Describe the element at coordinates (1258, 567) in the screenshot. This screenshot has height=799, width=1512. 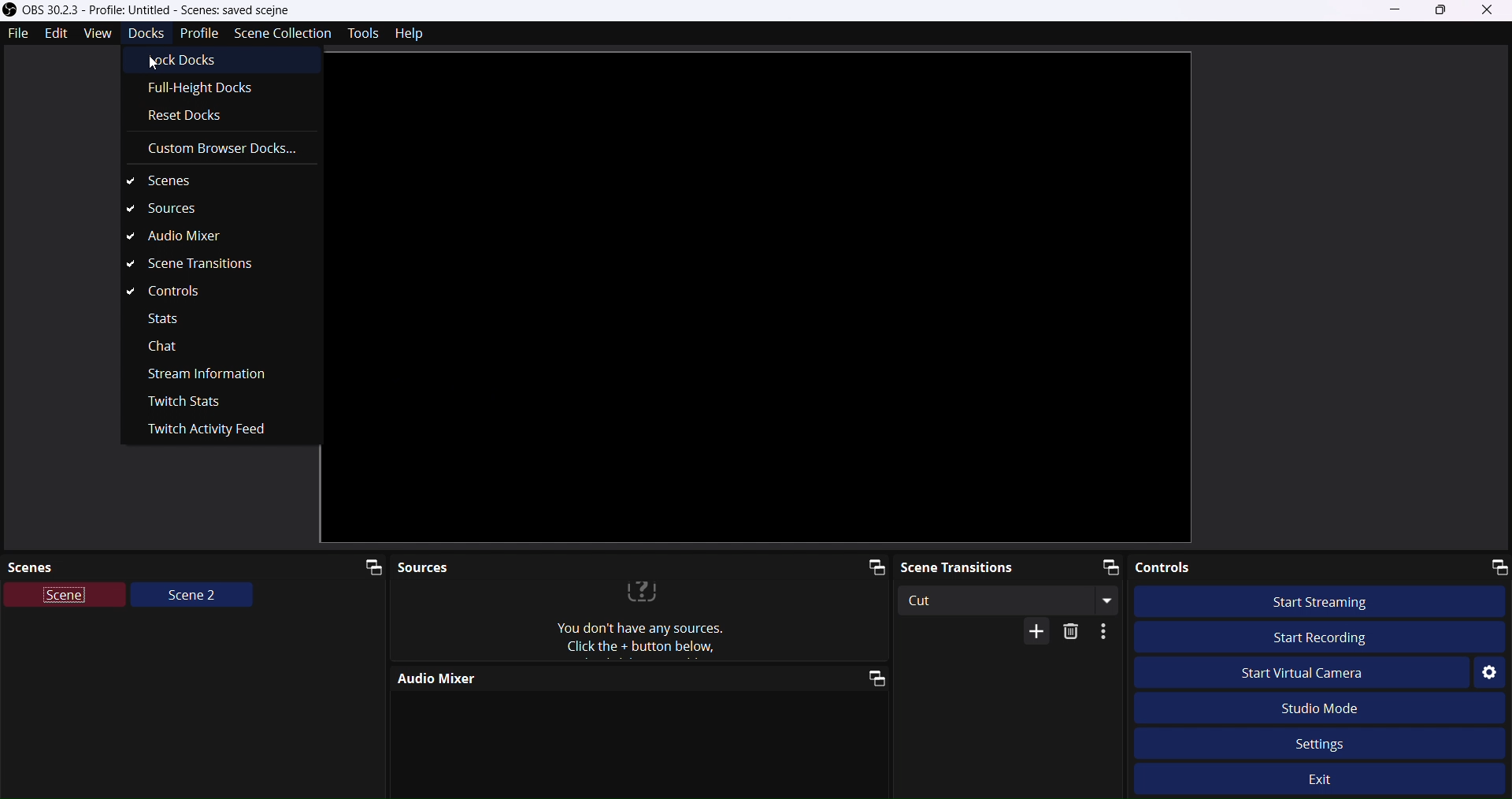
I see `Controls` at that location.